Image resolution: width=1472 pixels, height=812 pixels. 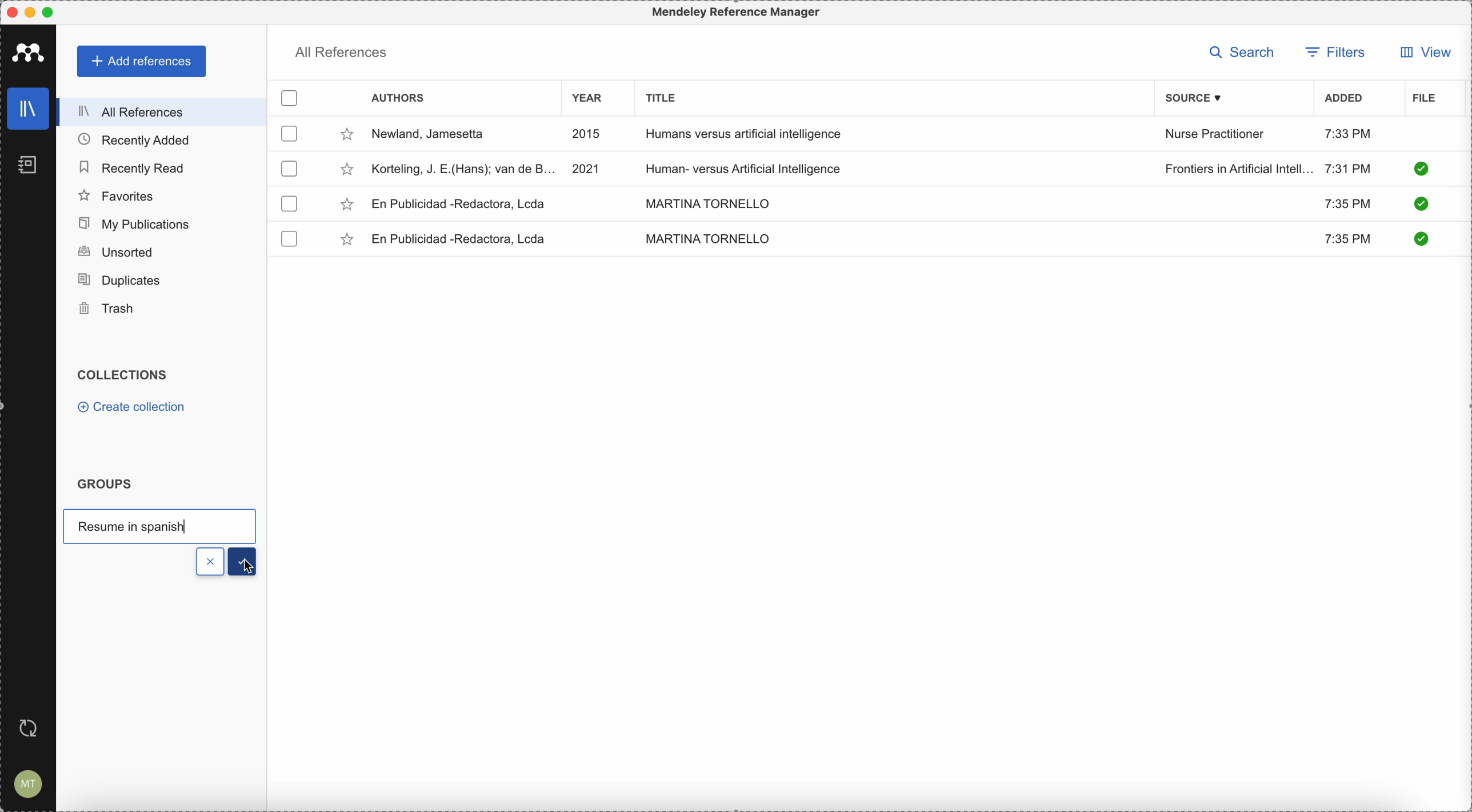 What do you see at coordinates (1238, 169) in the screenshot?
I see `Frontiers in Artificial Intelligence` at bounding box center [1238, 169].